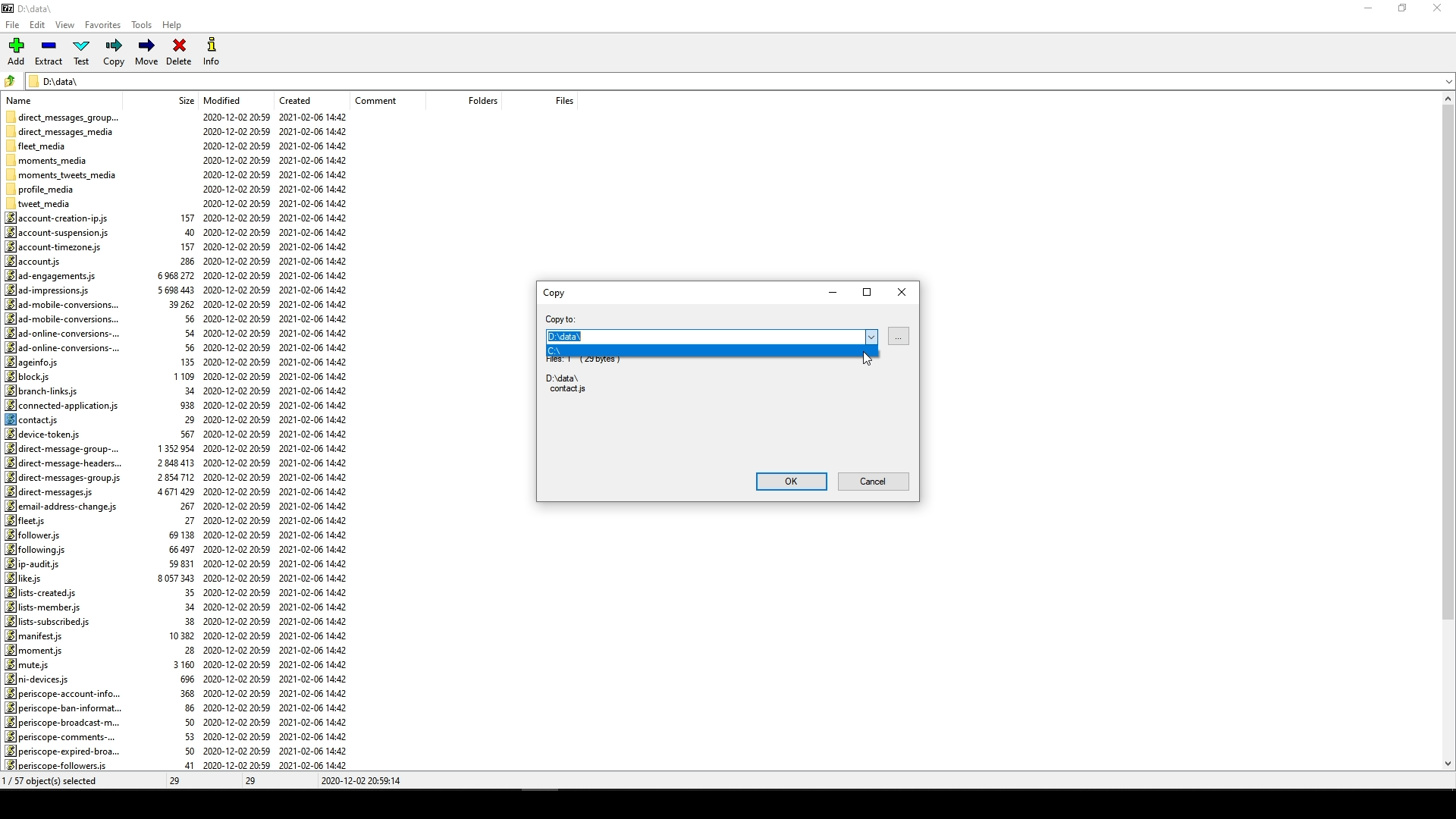 Image resolution: width=1456 pixels, height=819 pixels. What do you see at coordinates (472, 102) in the screenshot?
I see `folders` at bounding box center [472, 102].